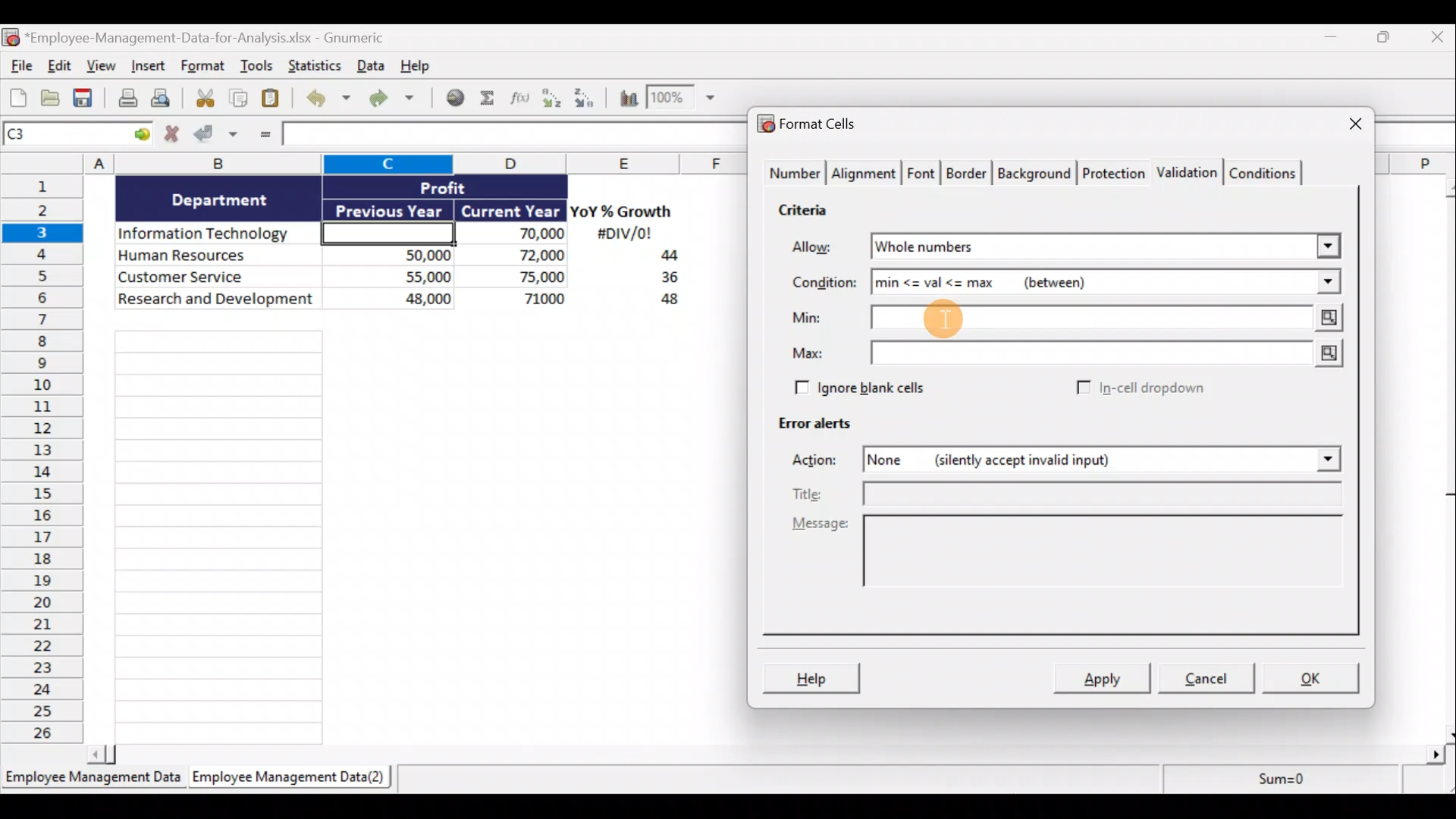  Describe the element at coordinates (489, 99) in the screenshot. I see `Sum into the current cell` at that location.